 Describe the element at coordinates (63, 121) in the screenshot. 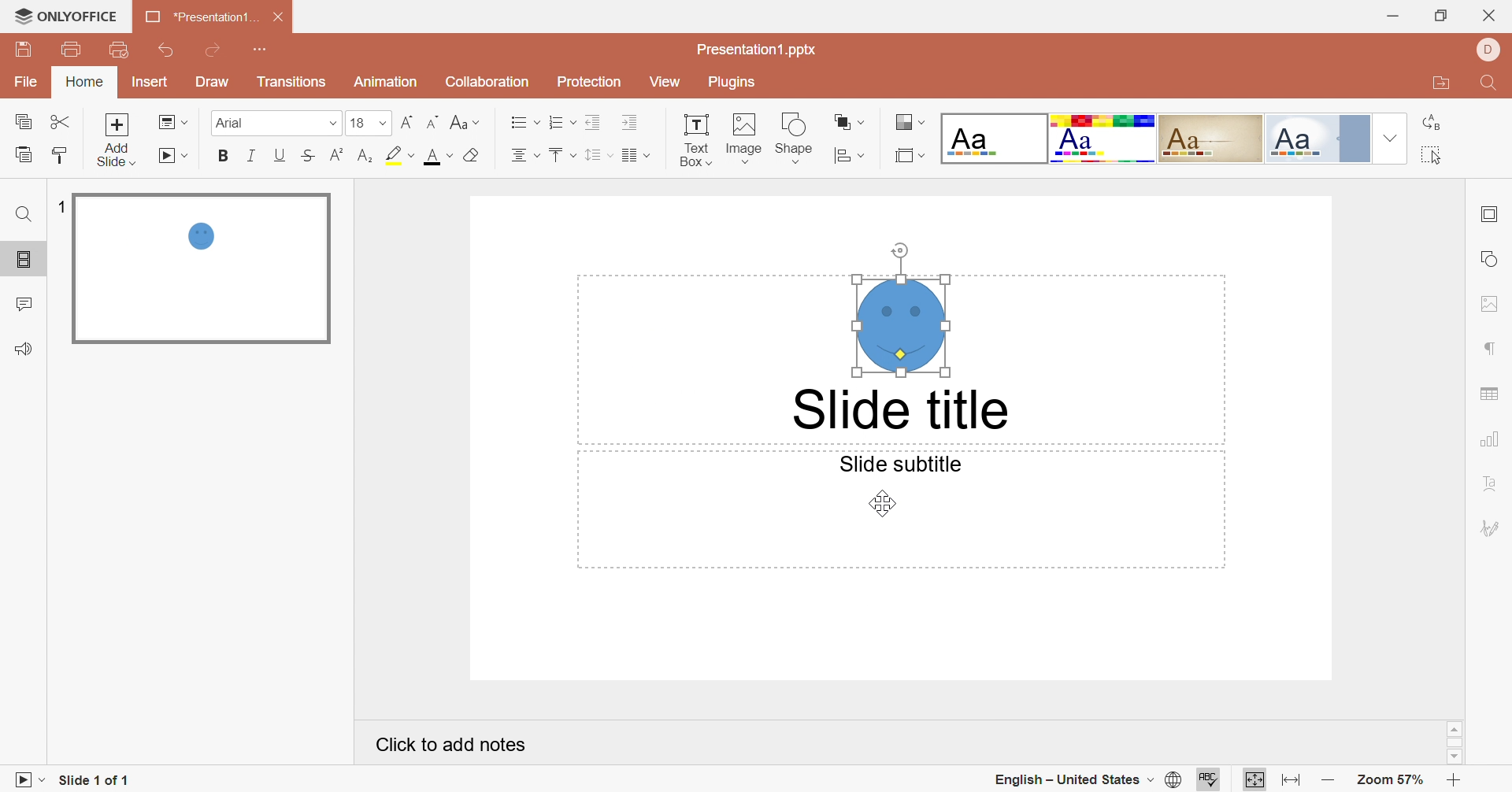

I see `Cut` at that location.